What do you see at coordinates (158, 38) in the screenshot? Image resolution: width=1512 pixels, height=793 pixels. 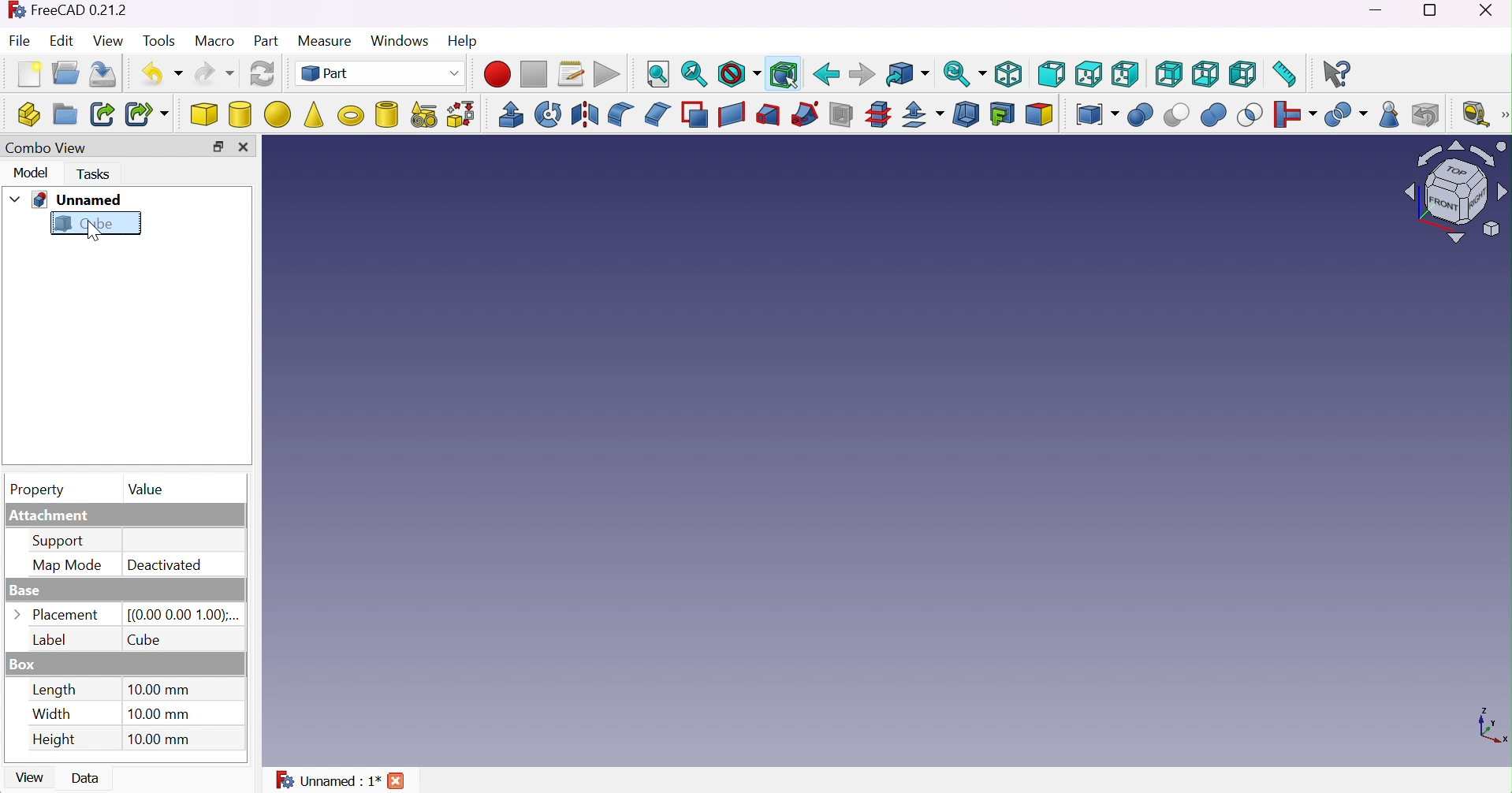 I see `Tools` at bounding box center [158, 38].